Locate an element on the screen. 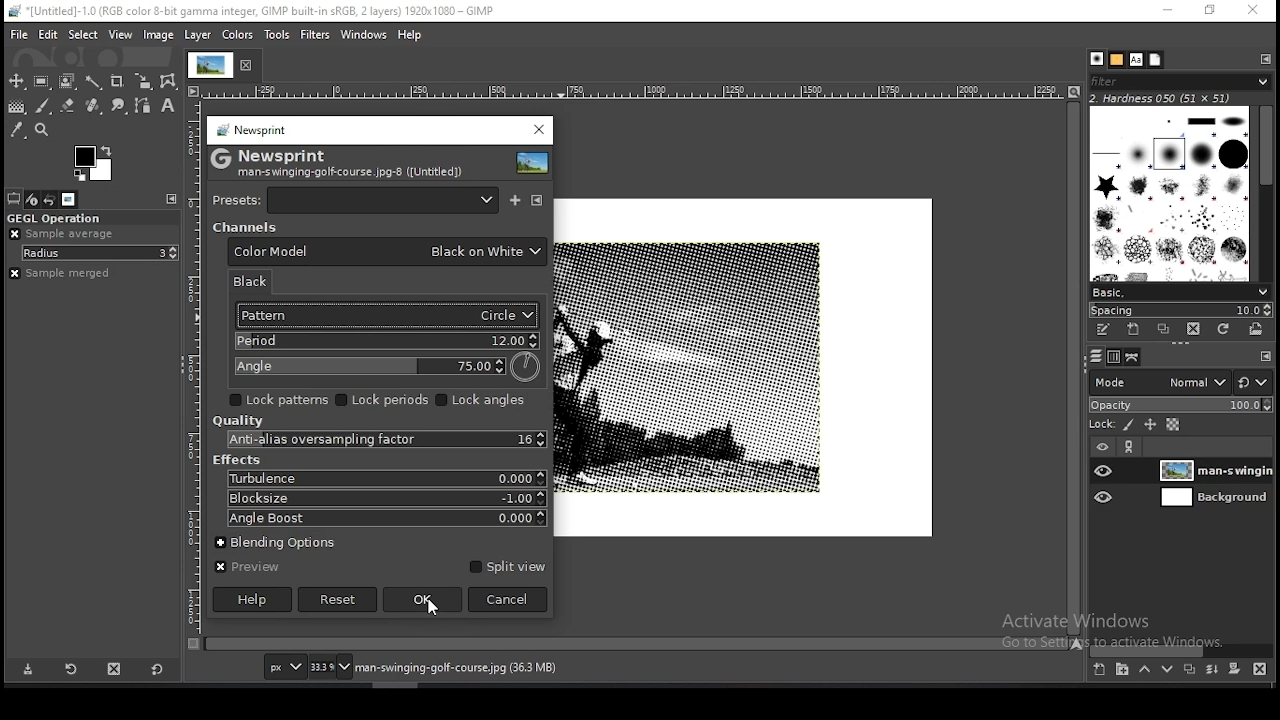  filter brushes is located at coordinates (1179, 82).